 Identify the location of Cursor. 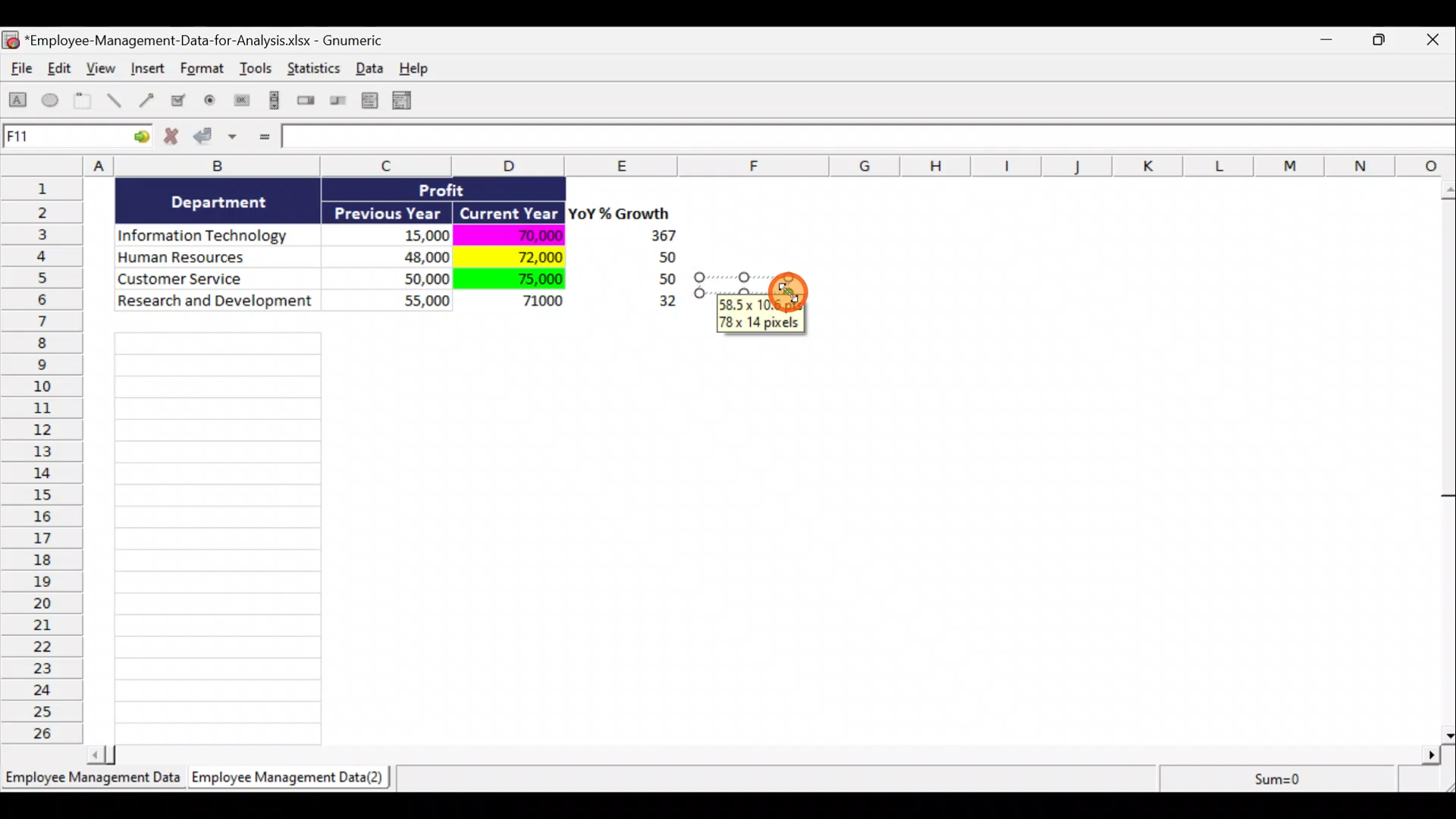
(788, 290).